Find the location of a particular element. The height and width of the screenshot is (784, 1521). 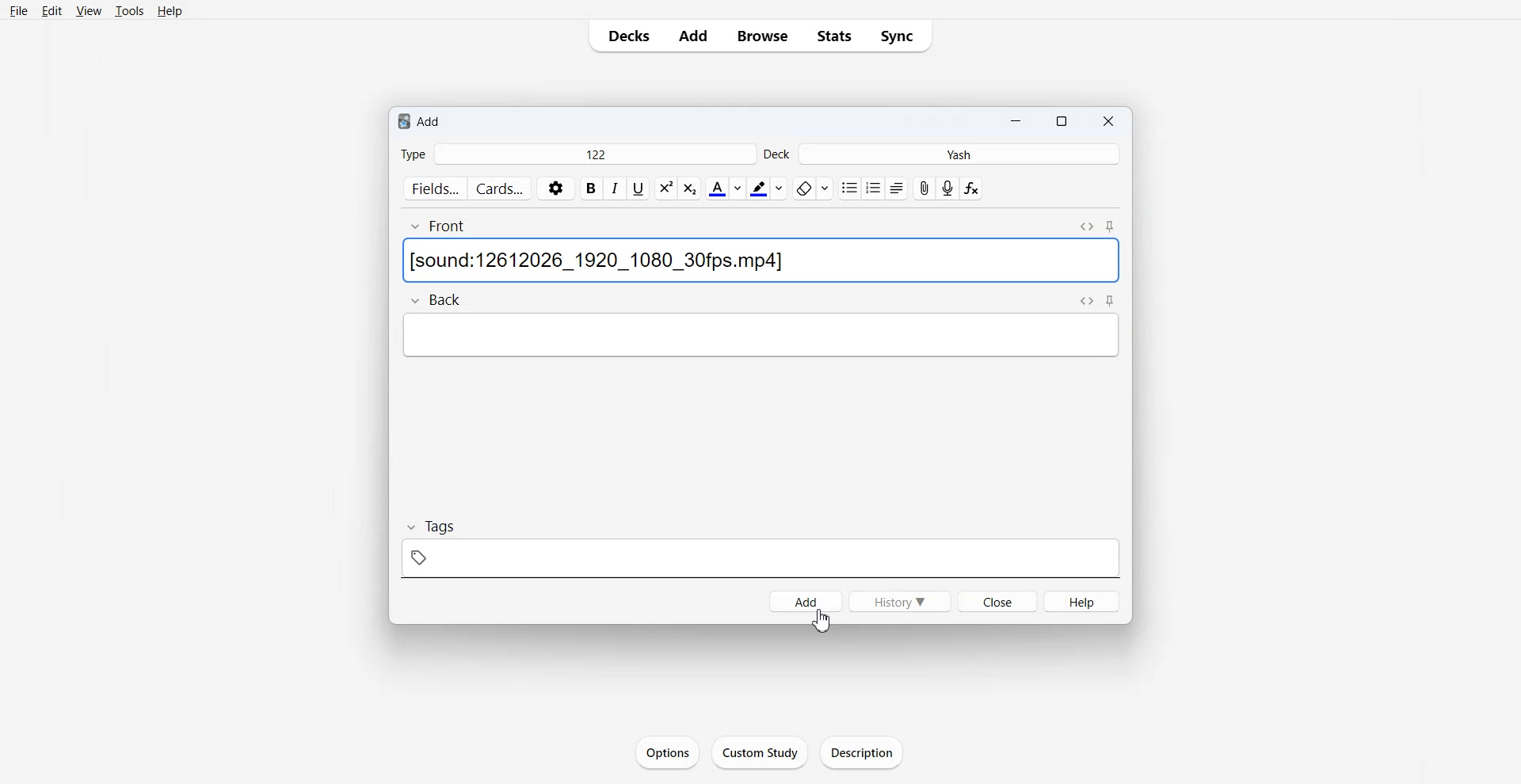

Underline is located at coordinates (639, 189).